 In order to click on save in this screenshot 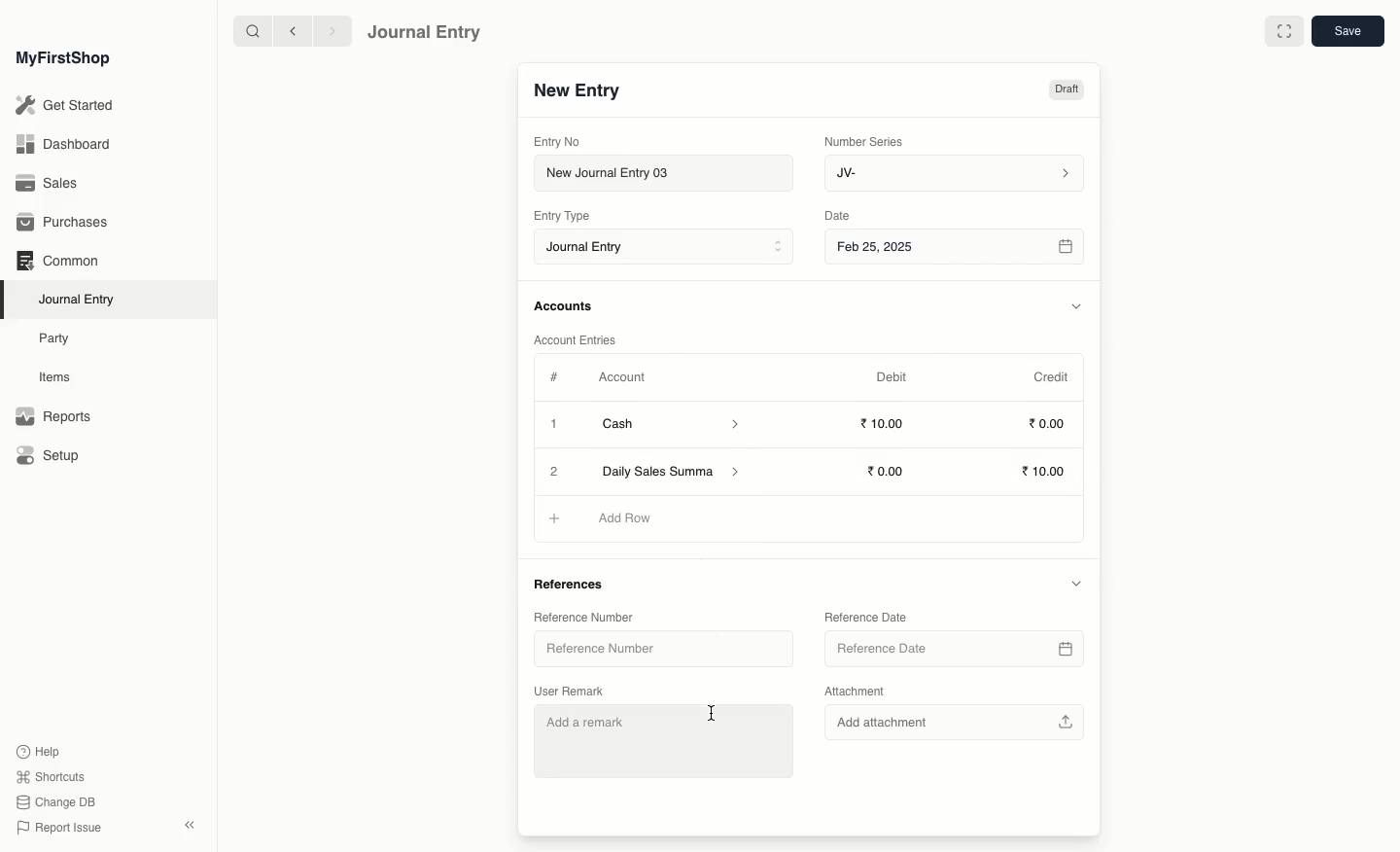, I will do `click(1347, 32)`.